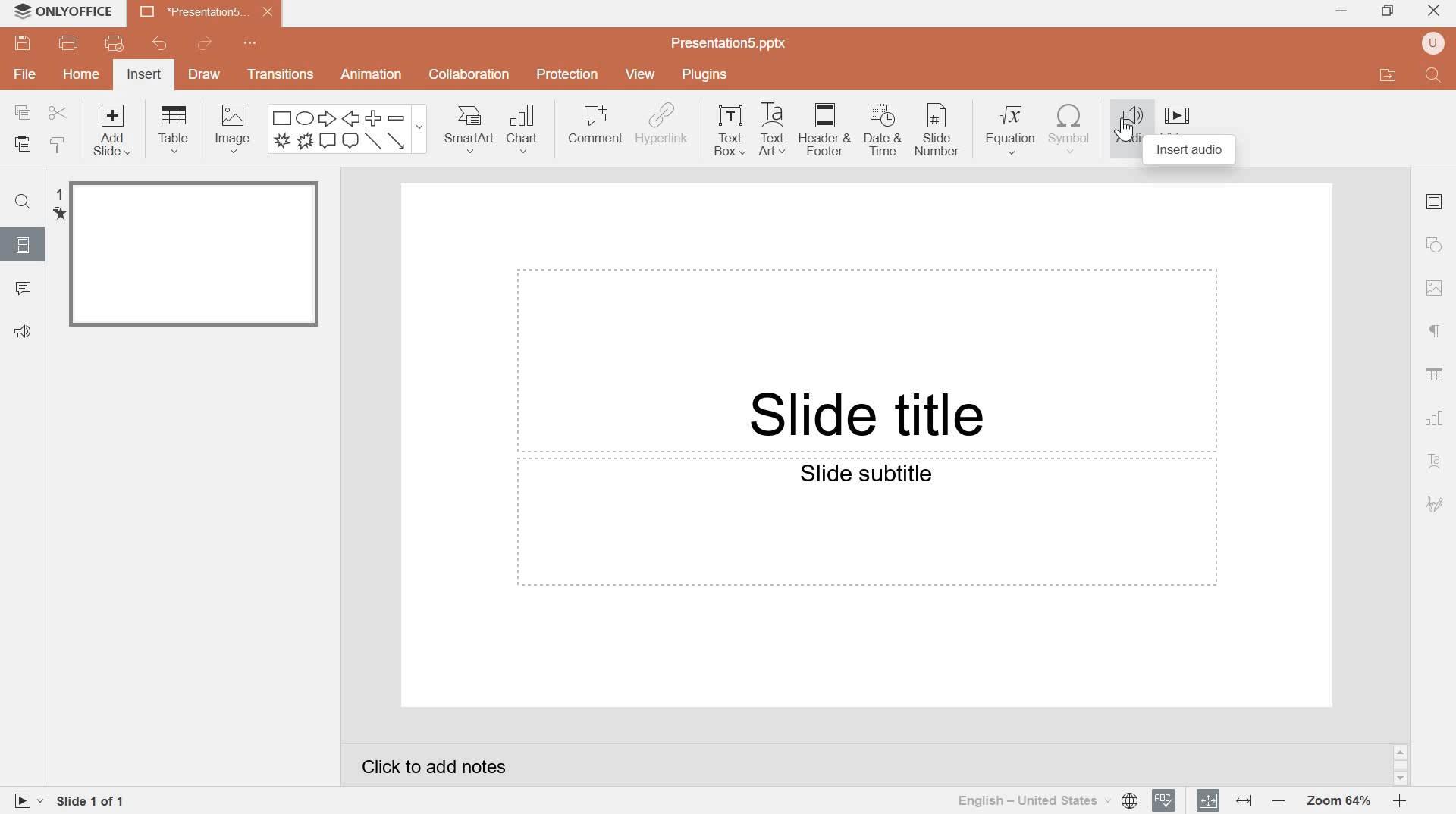 The image size is (1456, 814). Describe the element at coordinates (115, 42) in the screenshot. I see `Quick print` at that location.